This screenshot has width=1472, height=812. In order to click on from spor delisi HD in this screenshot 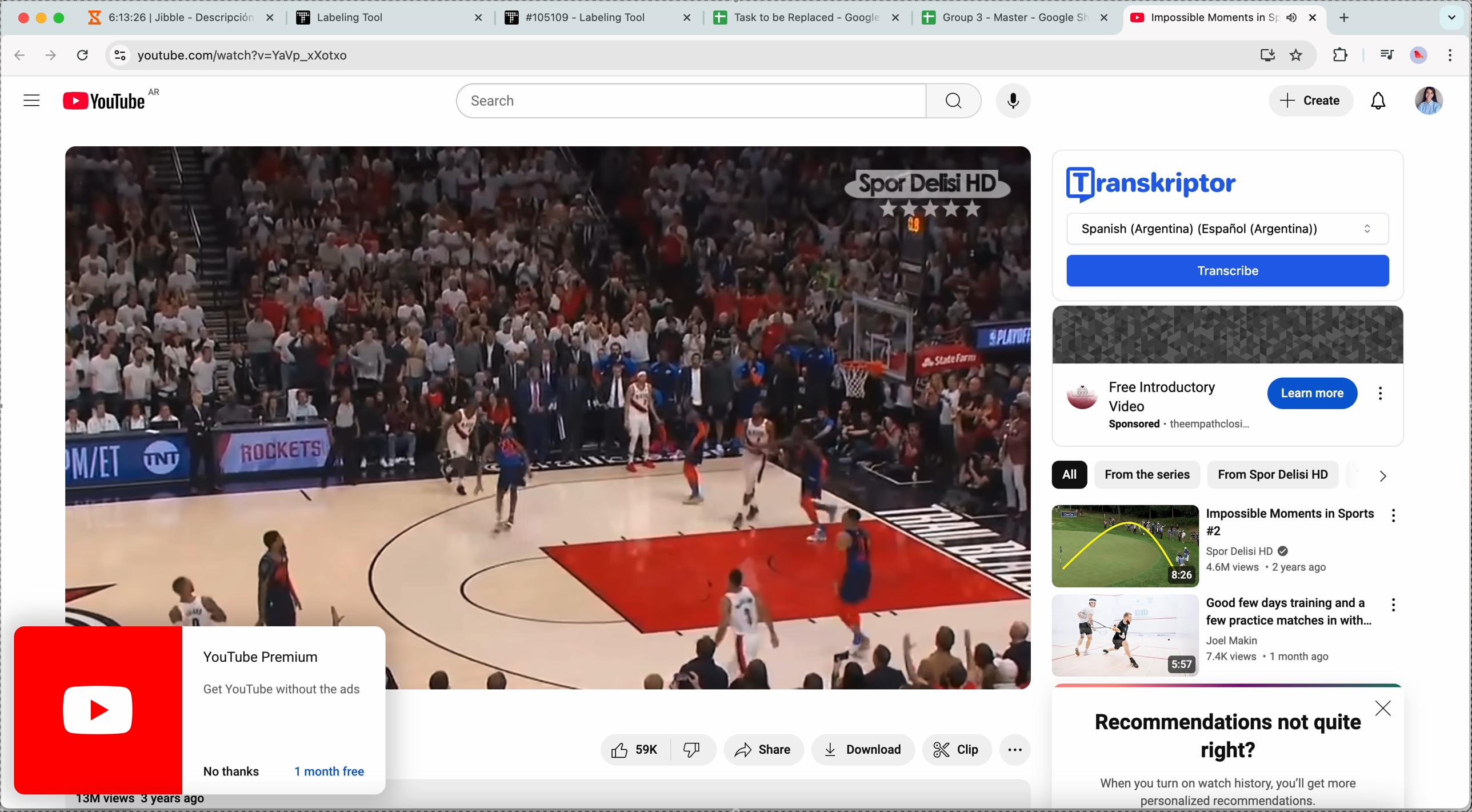, I will do `click(1279, 475)`.